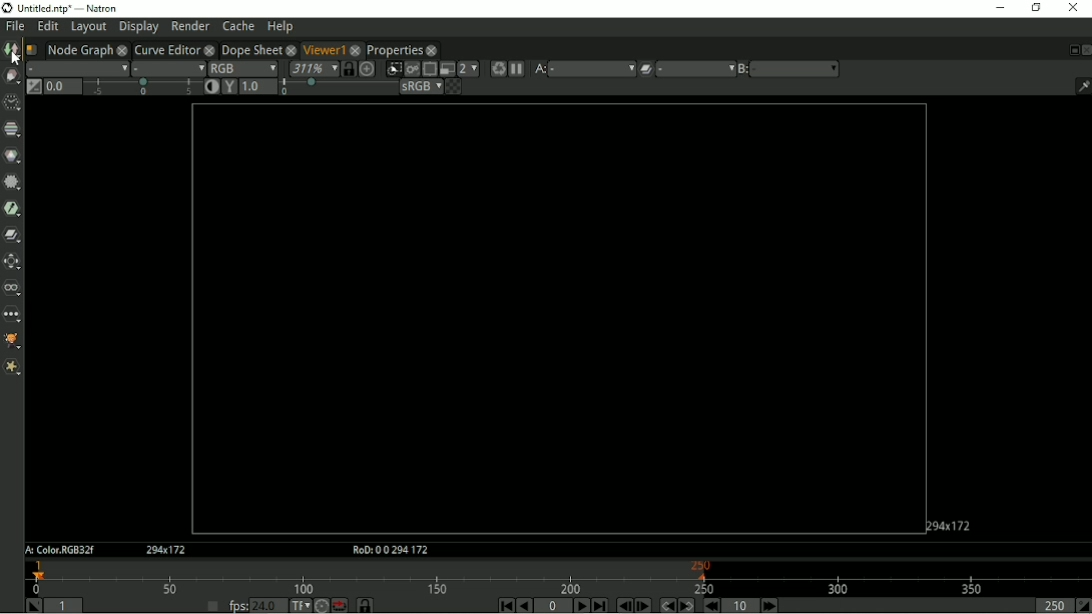  What do you see at coordinates (505, 605) in the screenshot?
I see `First frame` at bounding box center [505, 605].